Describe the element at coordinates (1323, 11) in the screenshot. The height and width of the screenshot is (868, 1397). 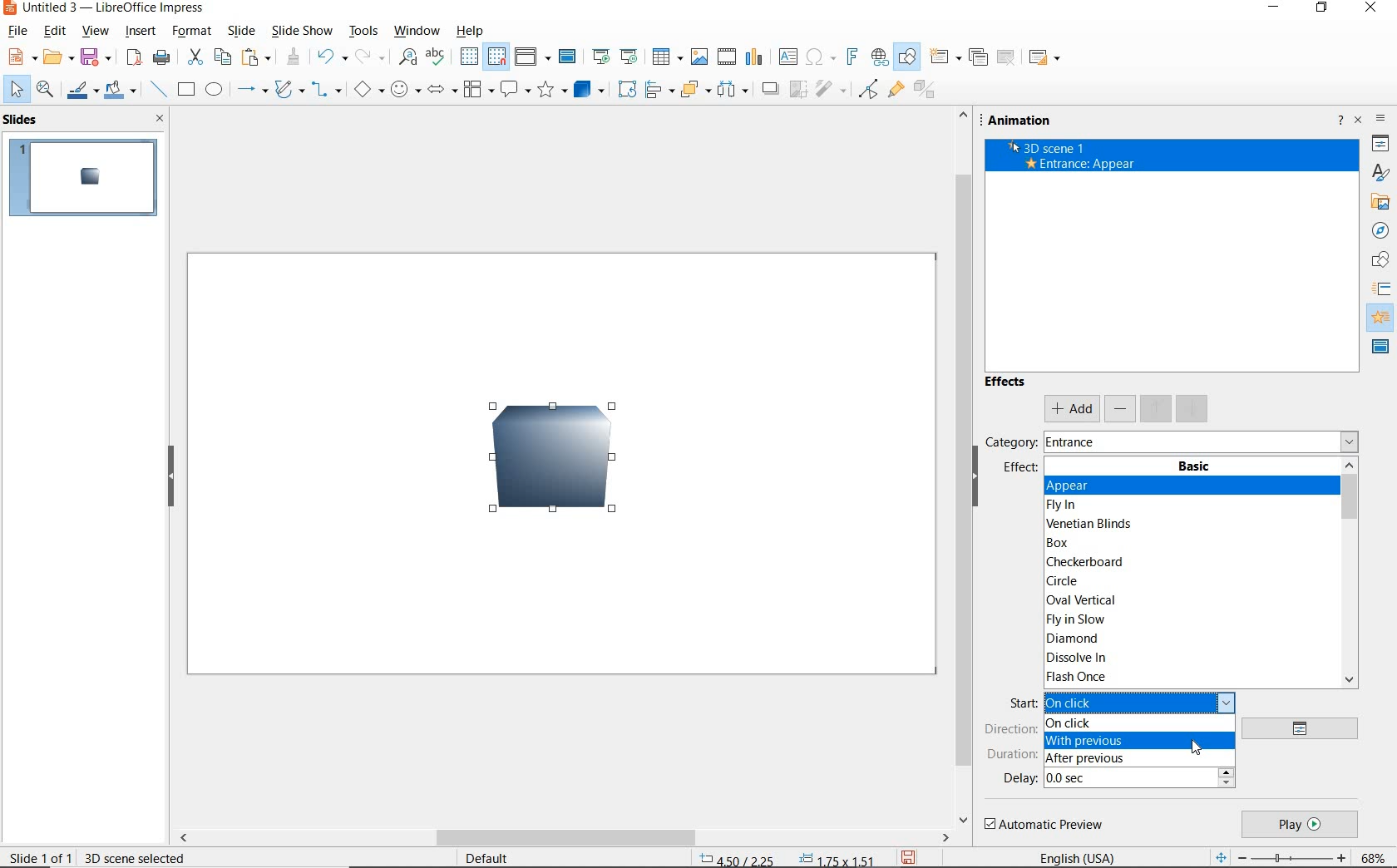
I see `RESTORE DOWN` at that location.